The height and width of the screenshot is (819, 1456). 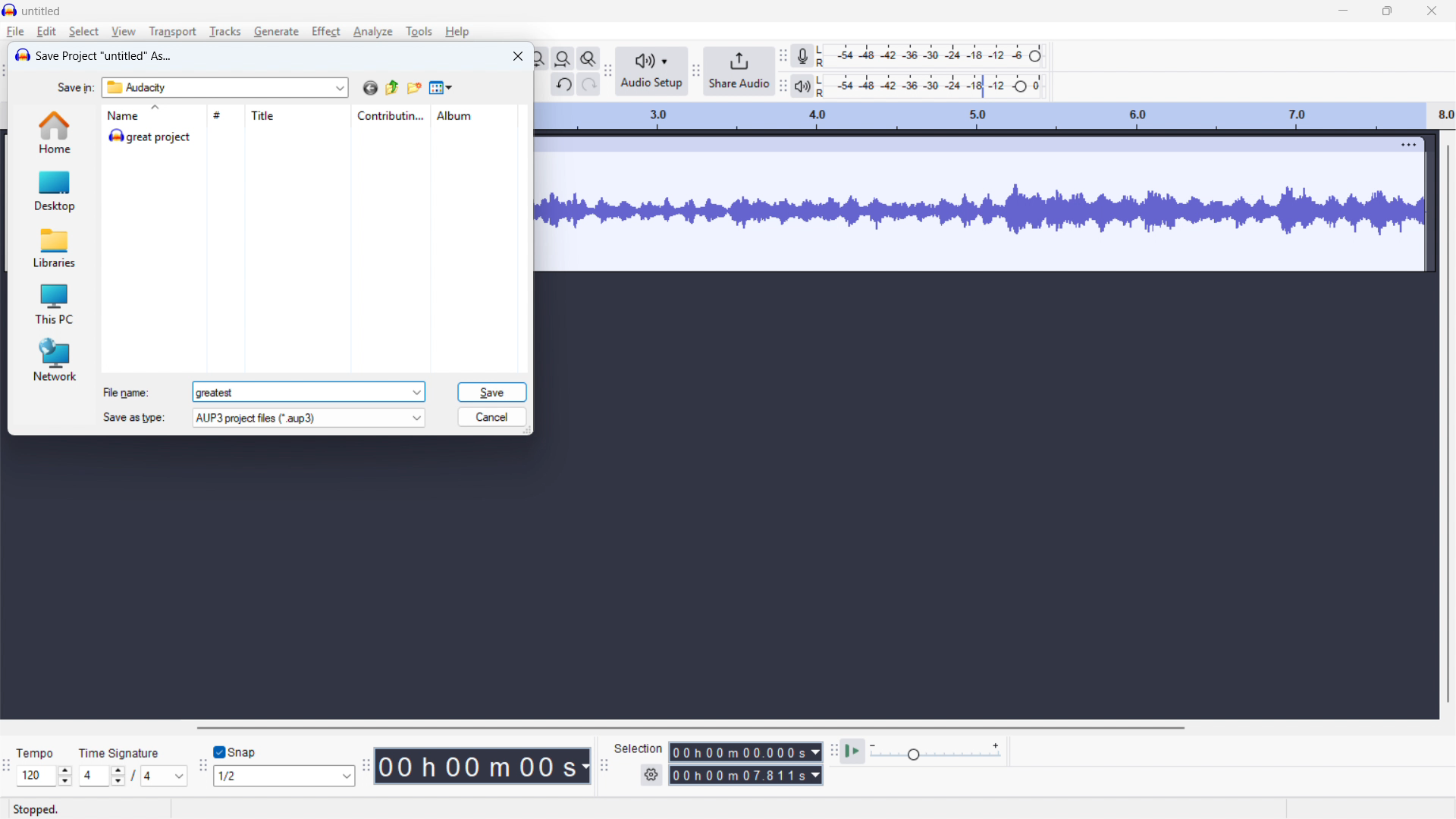 What do you see at coordinates (609, 72) in the screenshot?
I see `audio setup toolbar` at bounding box center [609, 72].